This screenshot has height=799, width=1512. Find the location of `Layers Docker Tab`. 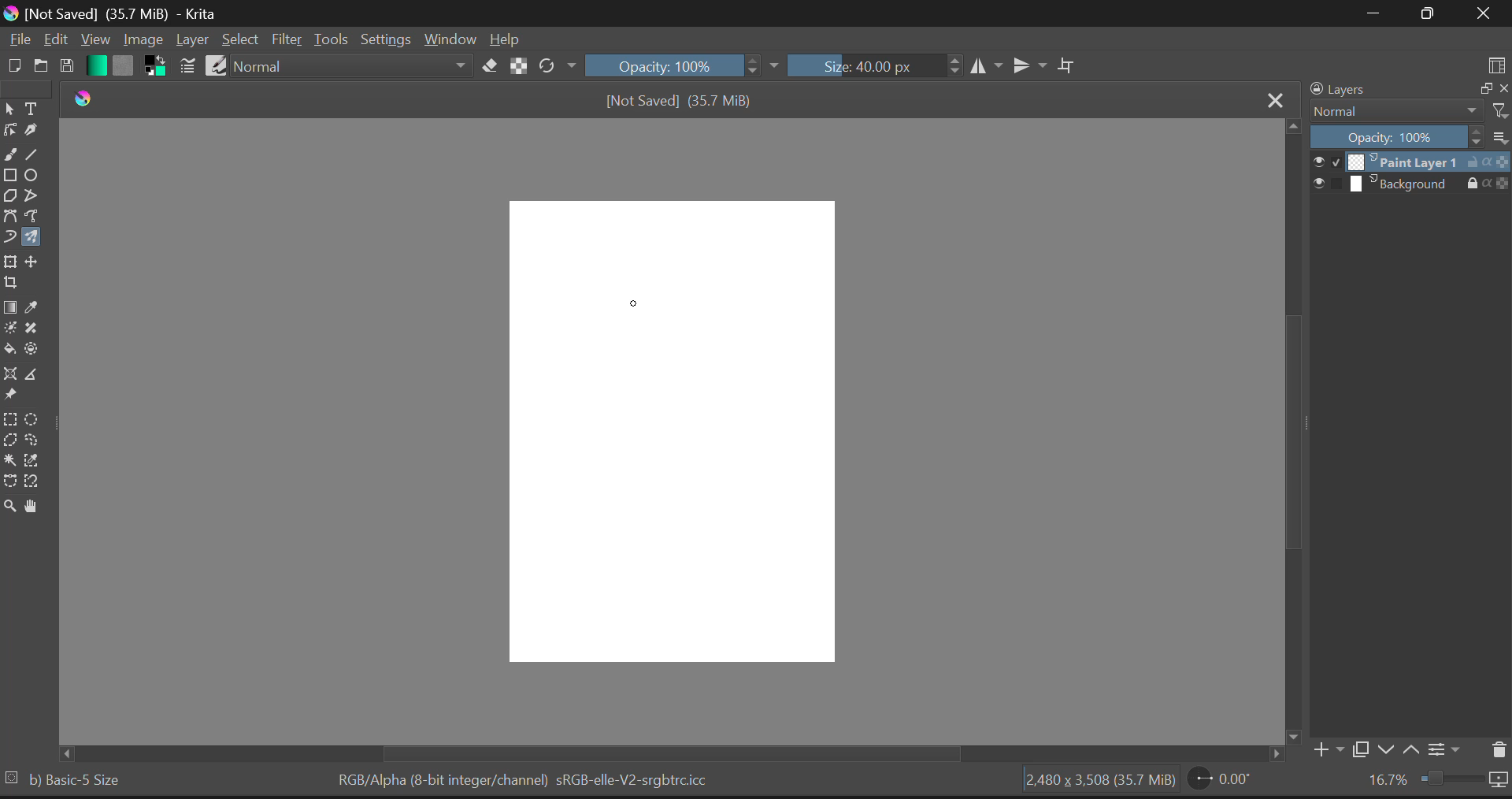

Layers Docker Tab is located at coordinates (1338, 90).